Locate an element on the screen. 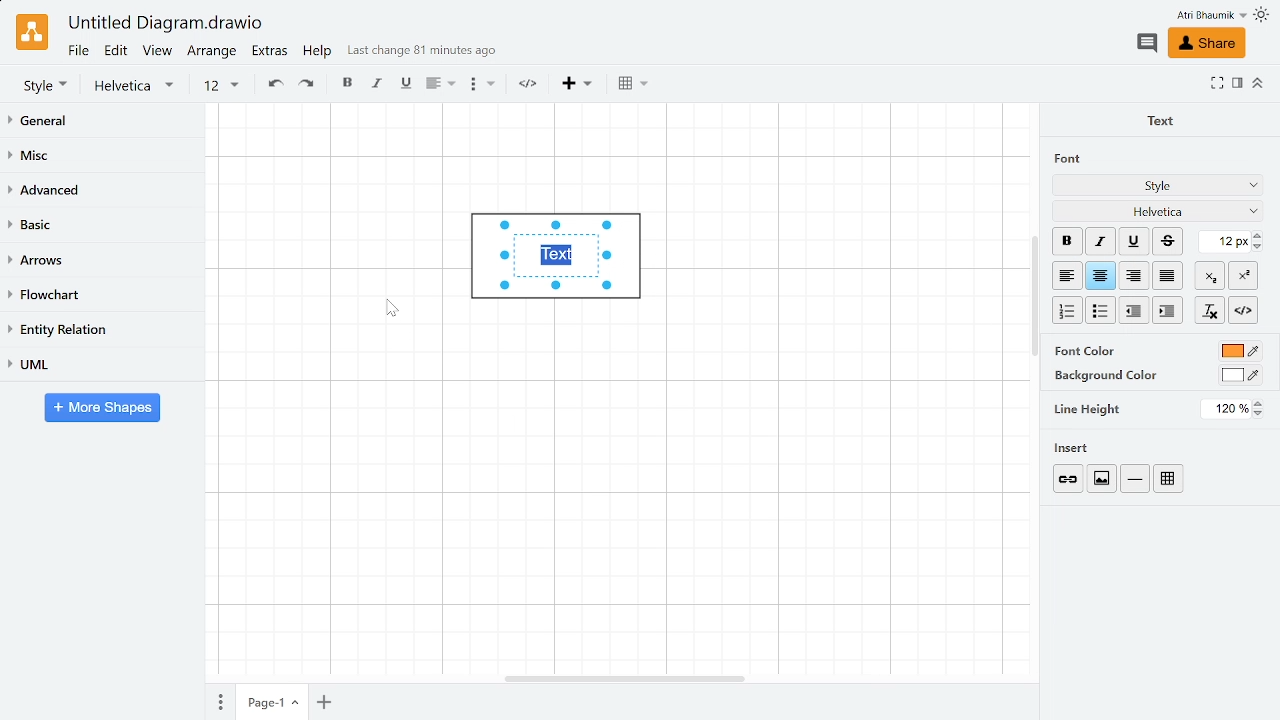 This screenshot has height=720, width=1280. CLear formatting is located at coordinates (1209, 311).